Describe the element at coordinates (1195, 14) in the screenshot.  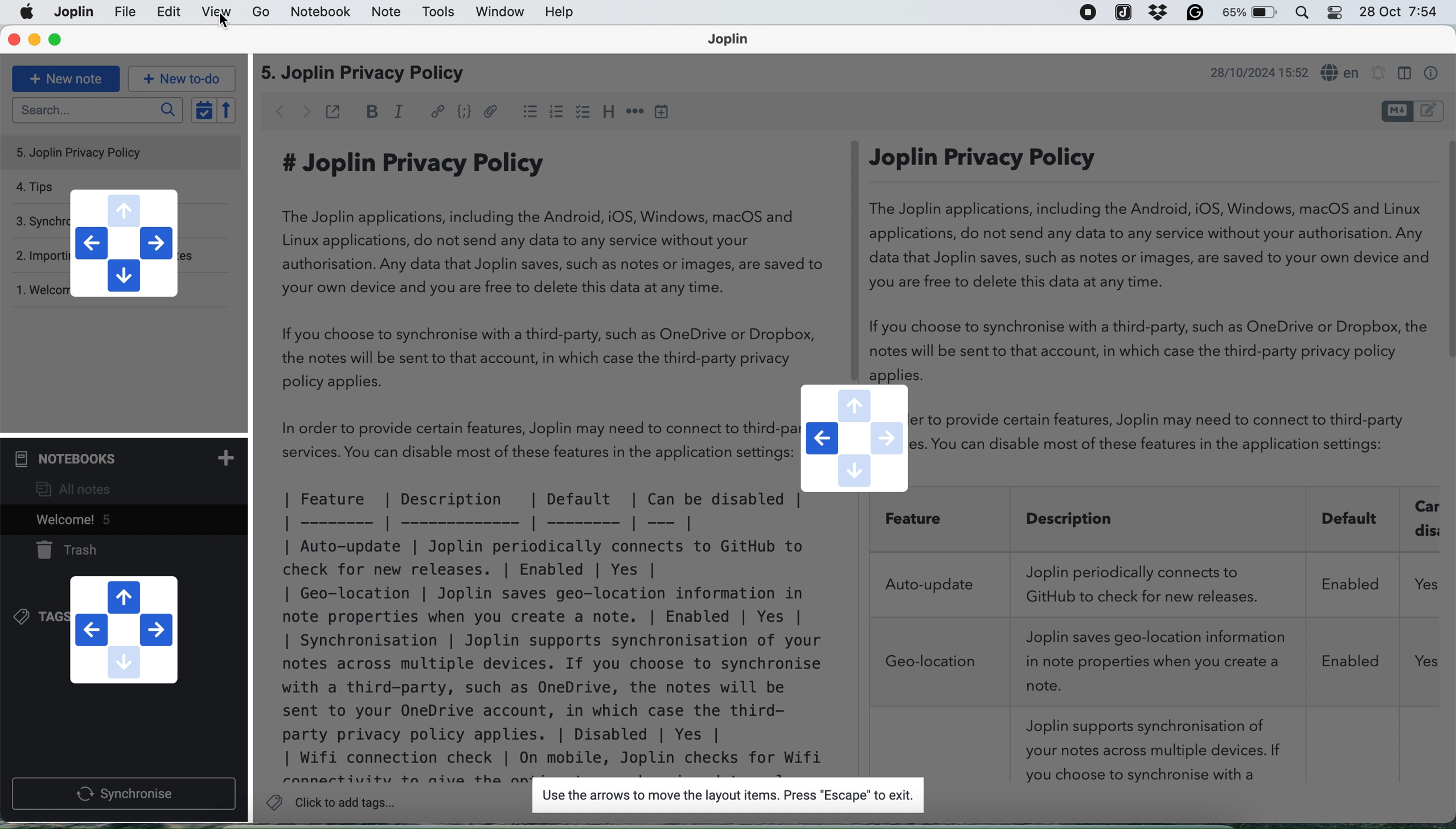
I see `grammarly` at that location.